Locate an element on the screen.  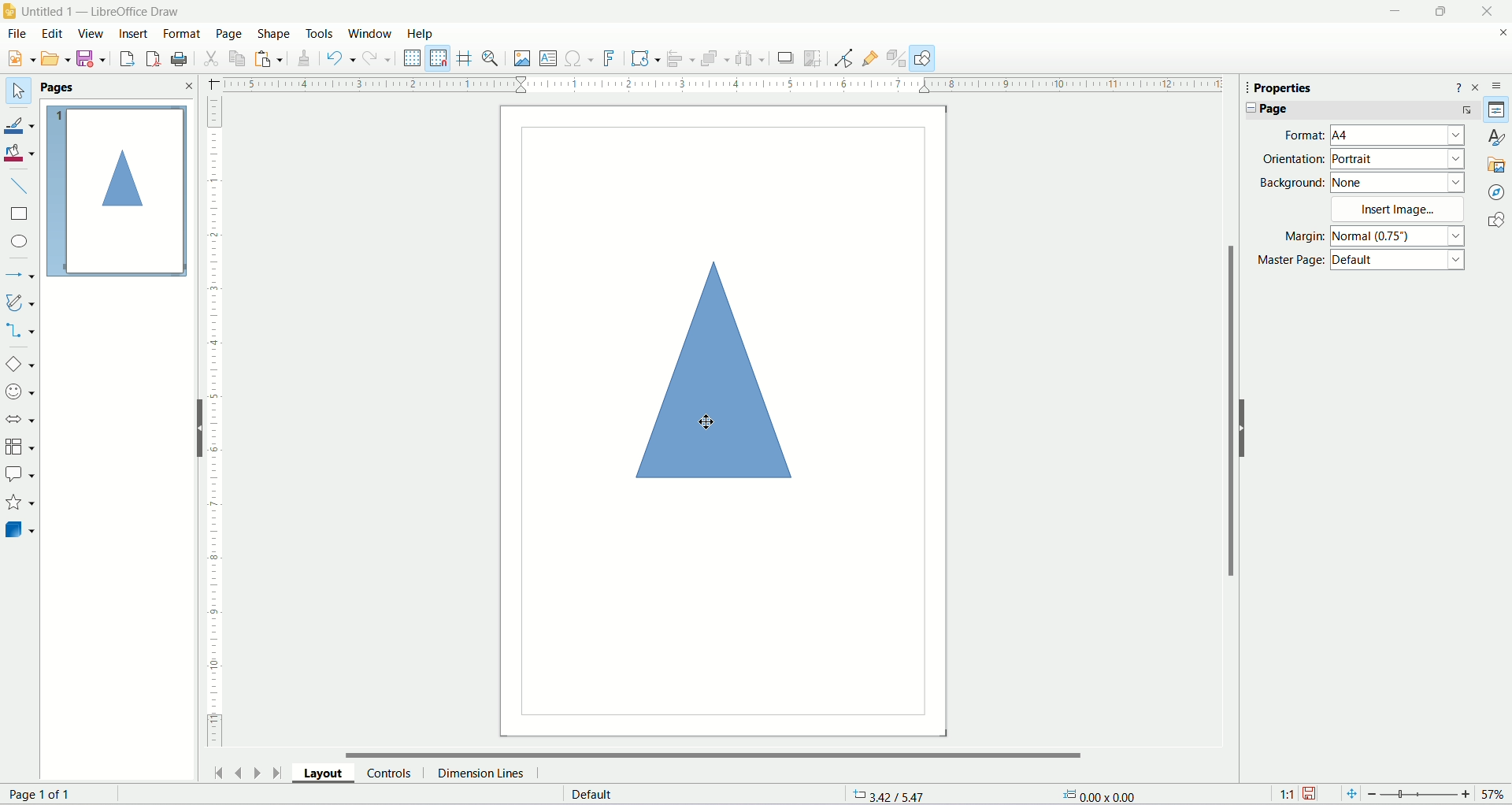
Close document is located at coordinates (1502, 32).